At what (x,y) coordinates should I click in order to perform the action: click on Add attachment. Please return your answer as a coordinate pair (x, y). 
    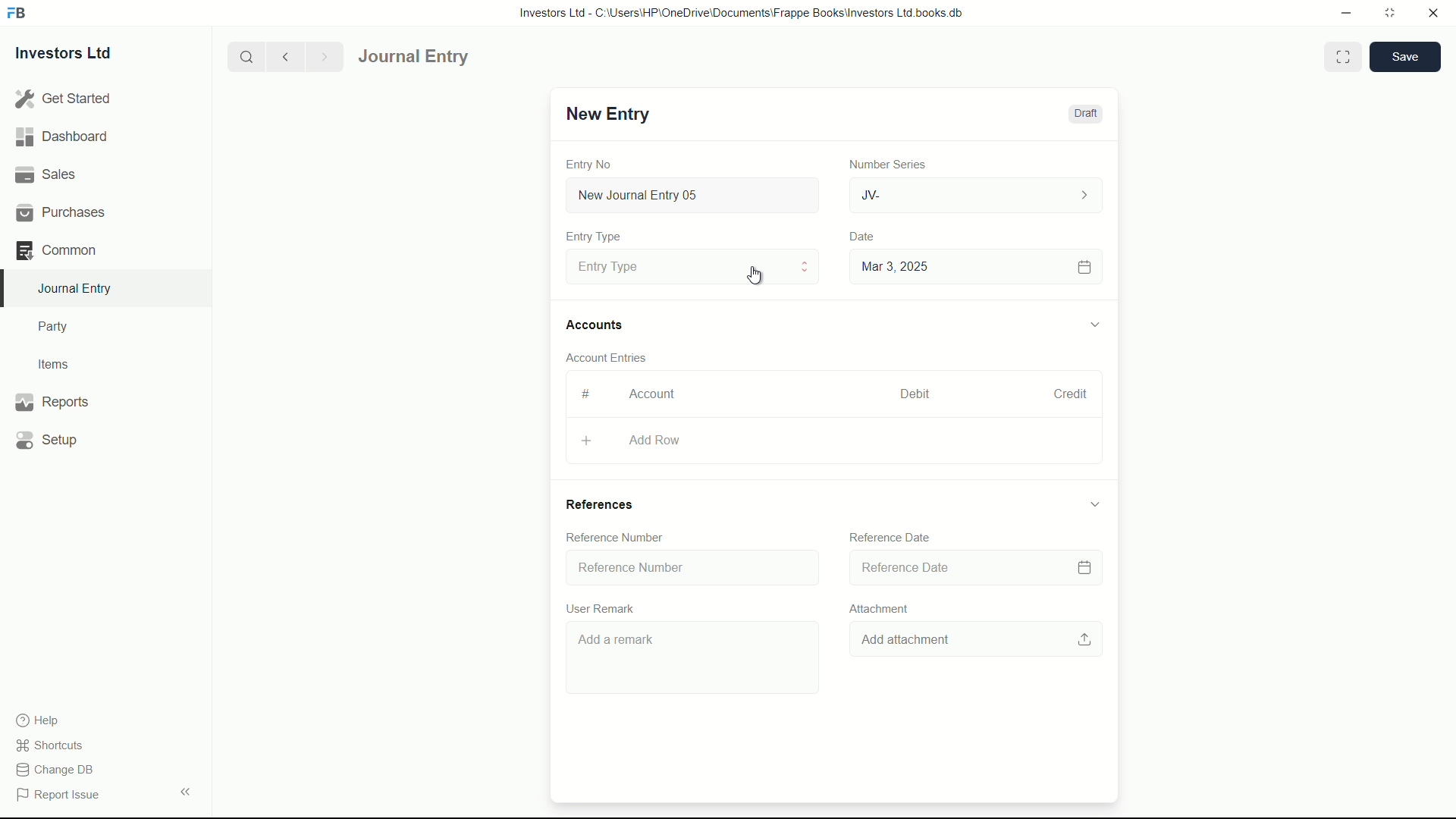
    Looking at the image, I should click on (976, 641).